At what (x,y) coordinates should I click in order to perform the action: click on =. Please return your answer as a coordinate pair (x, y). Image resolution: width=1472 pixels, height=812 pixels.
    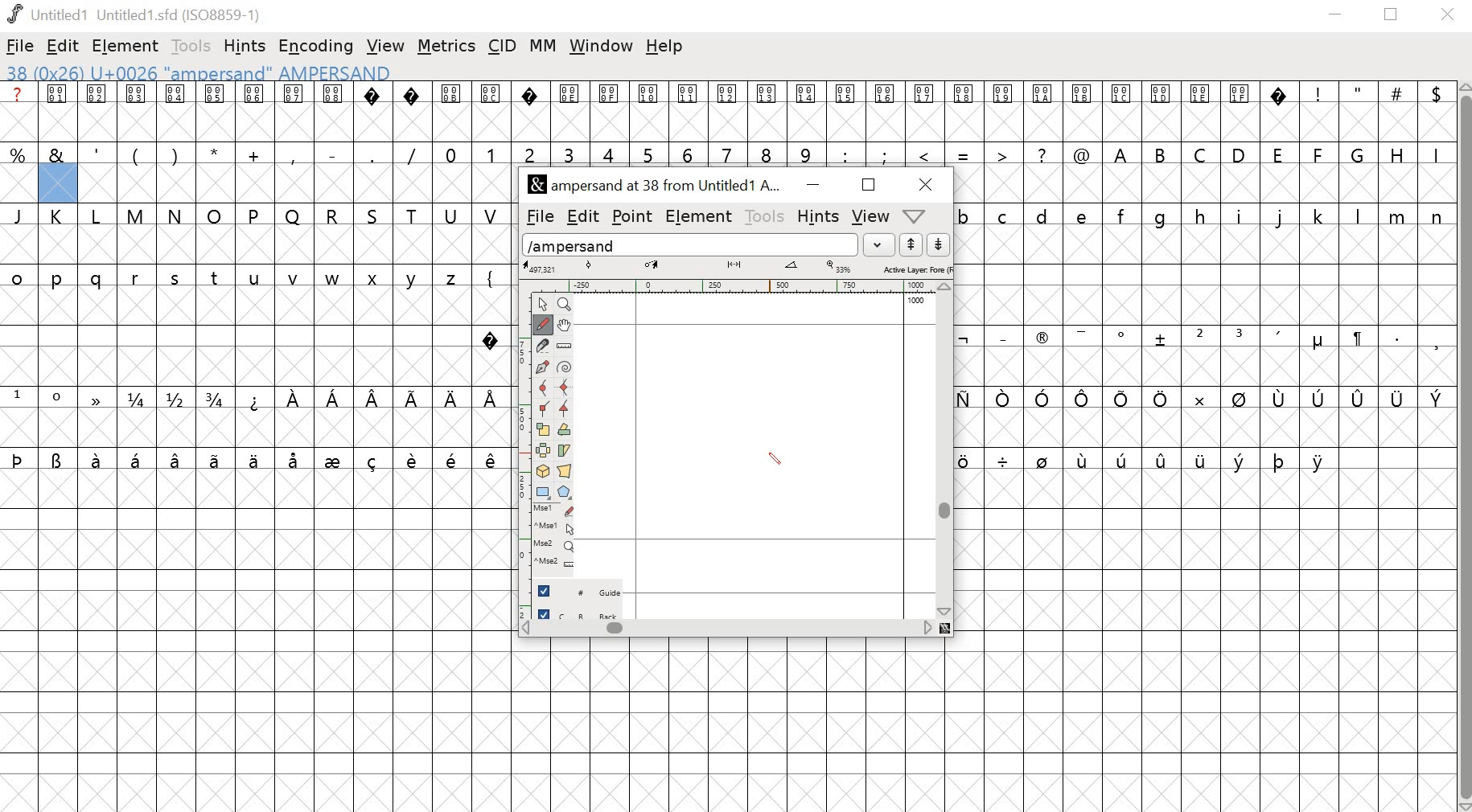
    Looking at the image, I should click on (964, 154).